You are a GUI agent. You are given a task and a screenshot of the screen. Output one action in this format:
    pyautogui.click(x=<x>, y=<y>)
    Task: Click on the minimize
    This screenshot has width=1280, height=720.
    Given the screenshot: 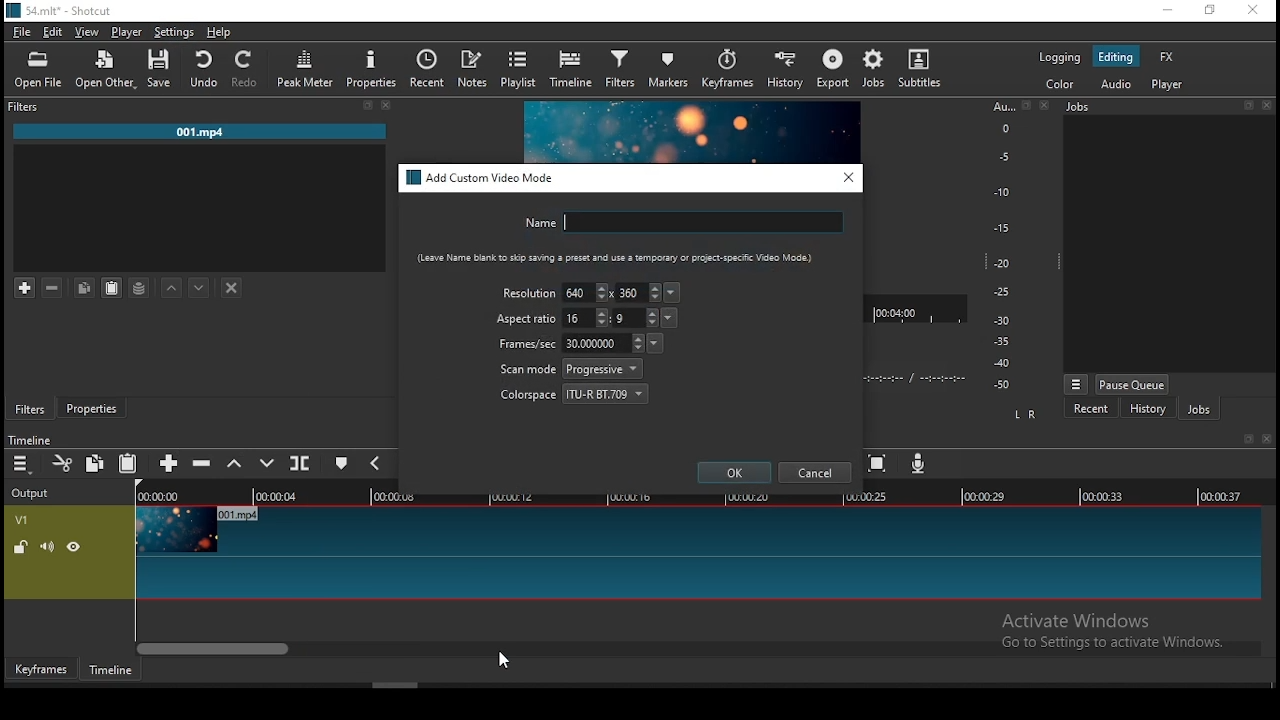 What is the action you would take?
    pyautogui.click(x=1167, y=11)
    